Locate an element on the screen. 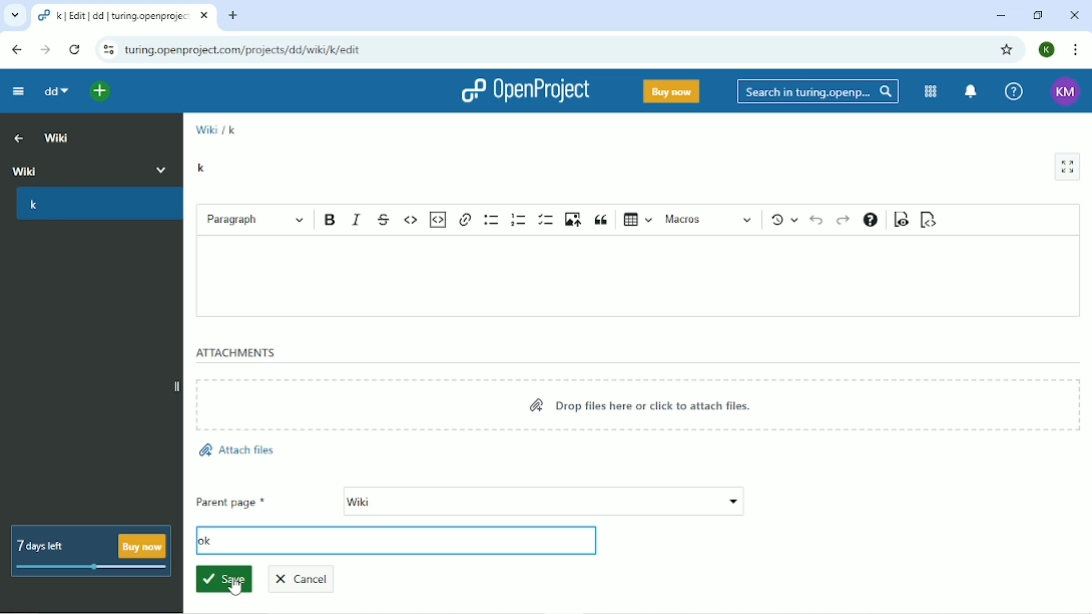  Bulleted list is located at coordinates (493, 219).